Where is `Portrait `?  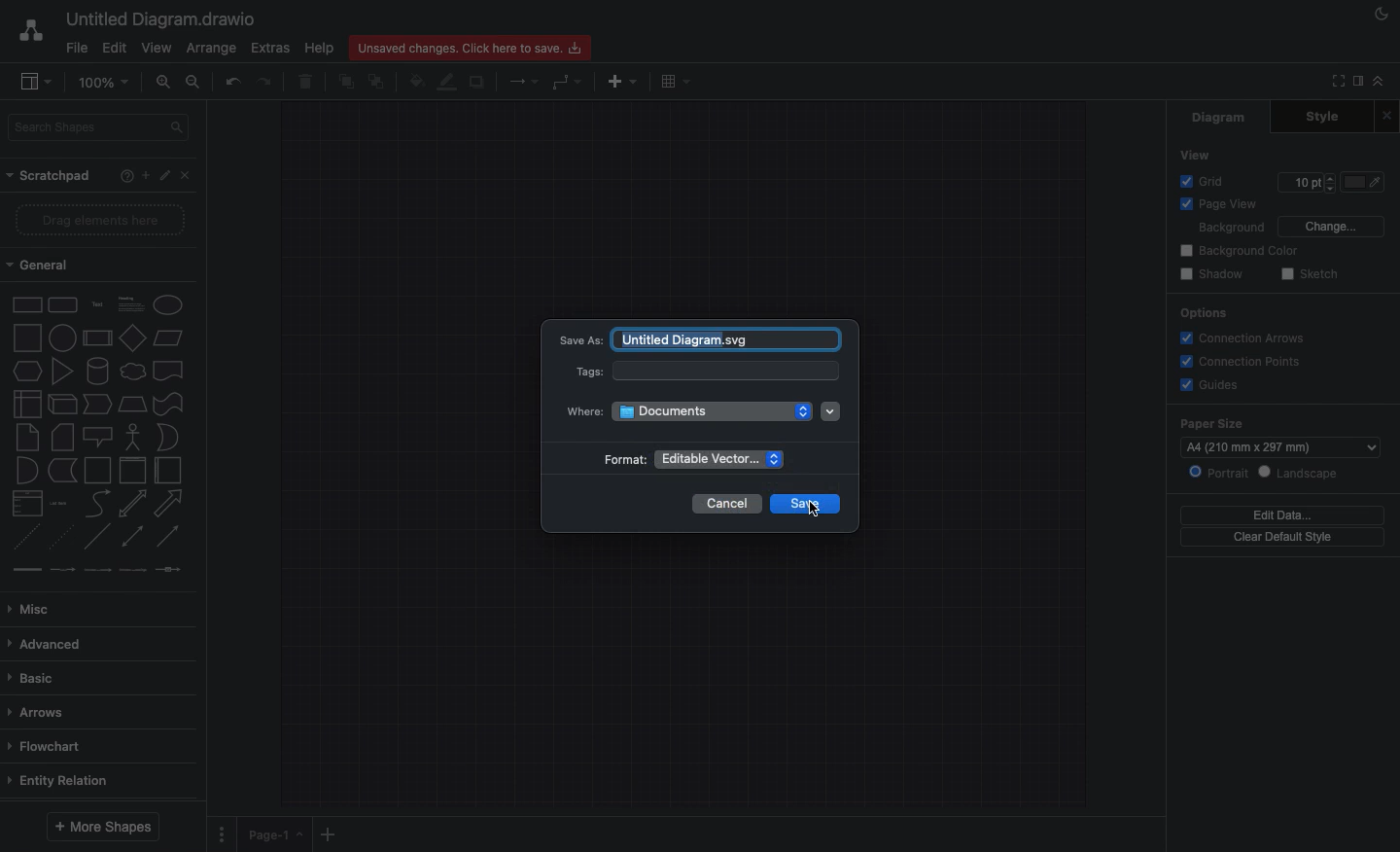
Portrait  is located at coordinates (1219, 474).